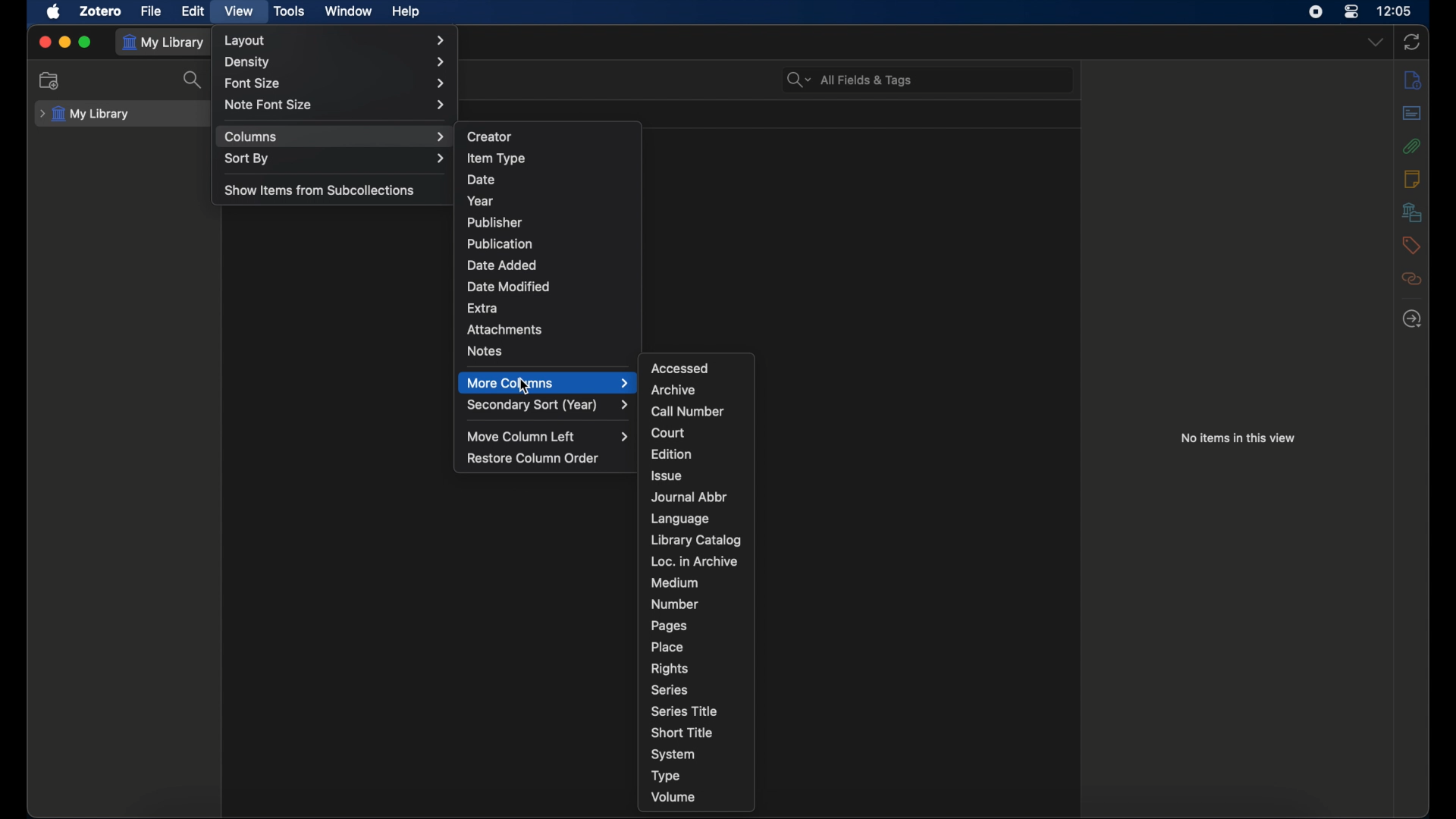  Describe the element at coordinates (1376, 42) in the screenshot. I see `dropdown` at that location.